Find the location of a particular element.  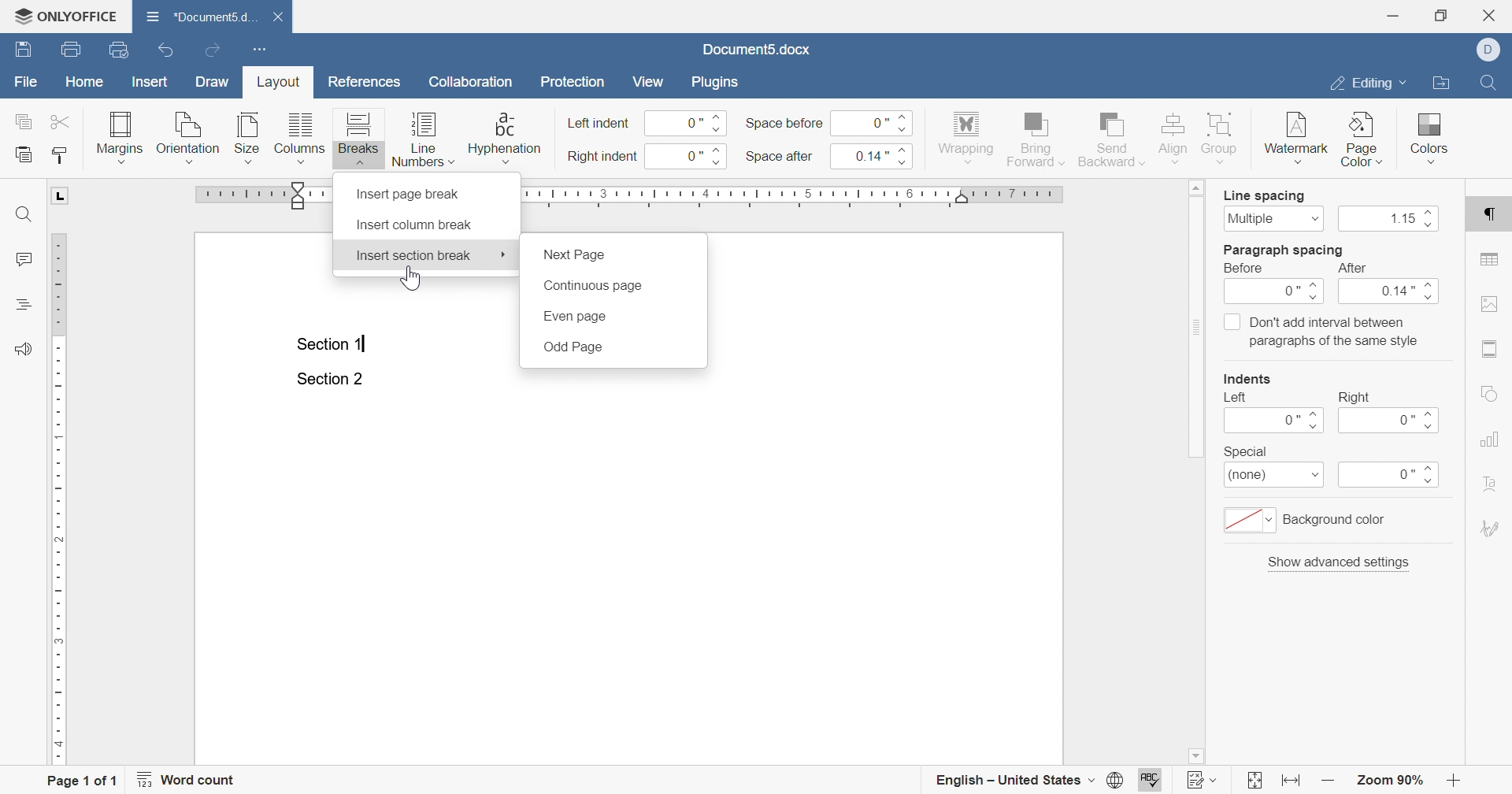

Don't add interval between paragraphs of the same style is located at coordinates (1321, 331).